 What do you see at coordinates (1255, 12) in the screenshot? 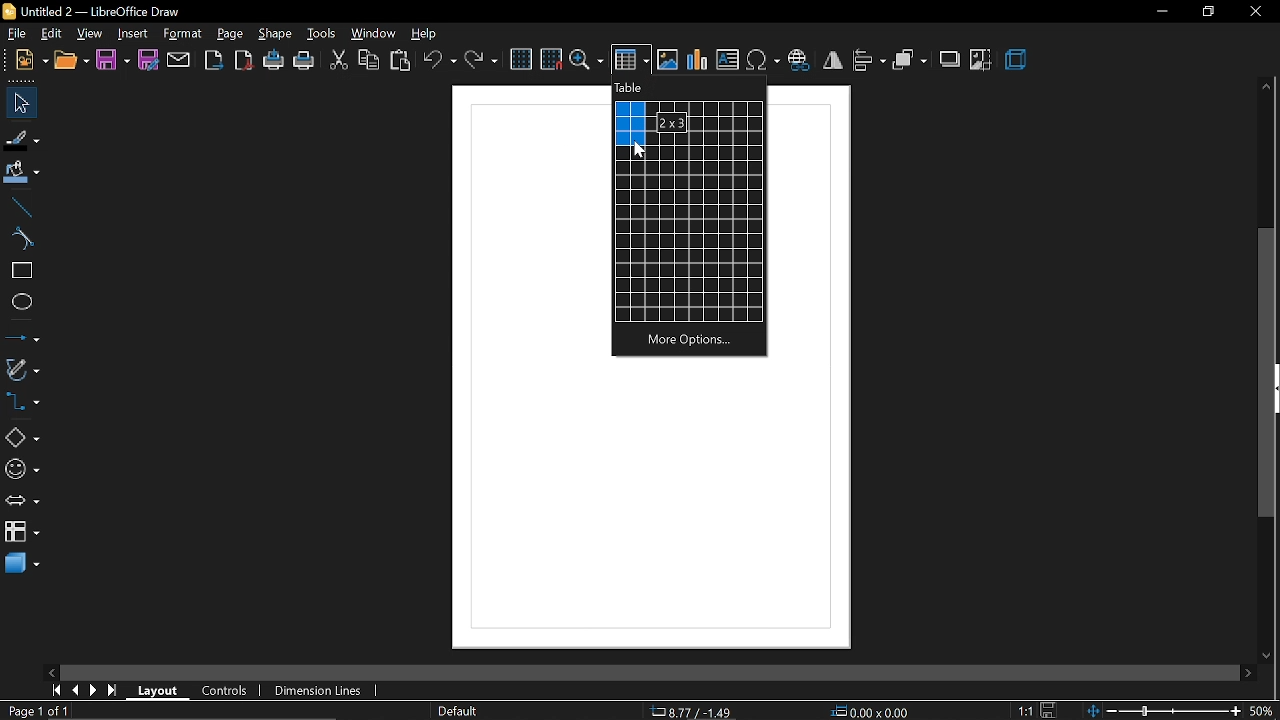
I see `close` at bounding box center [1255, 12].